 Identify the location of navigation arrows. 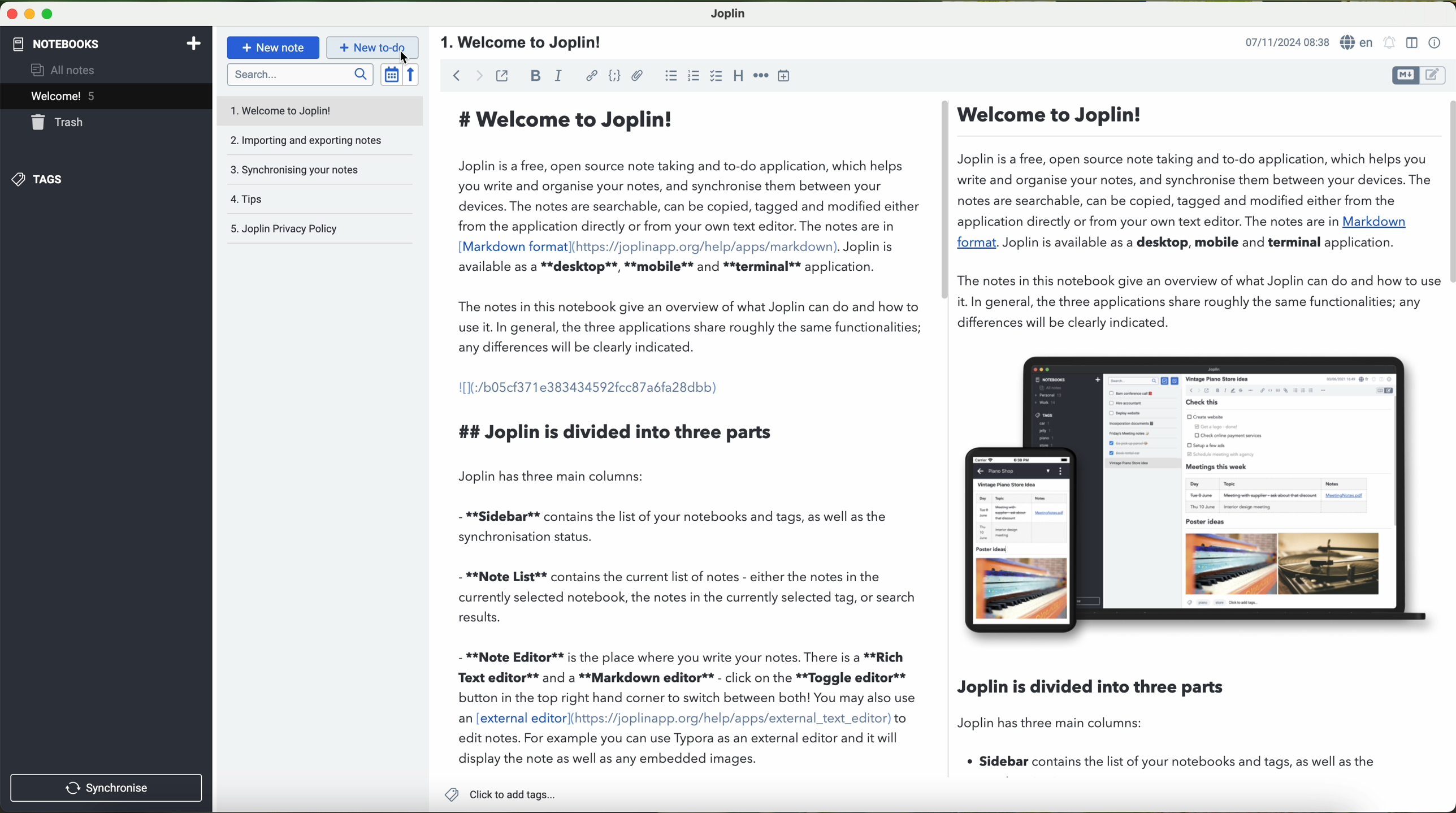
(466, 75).